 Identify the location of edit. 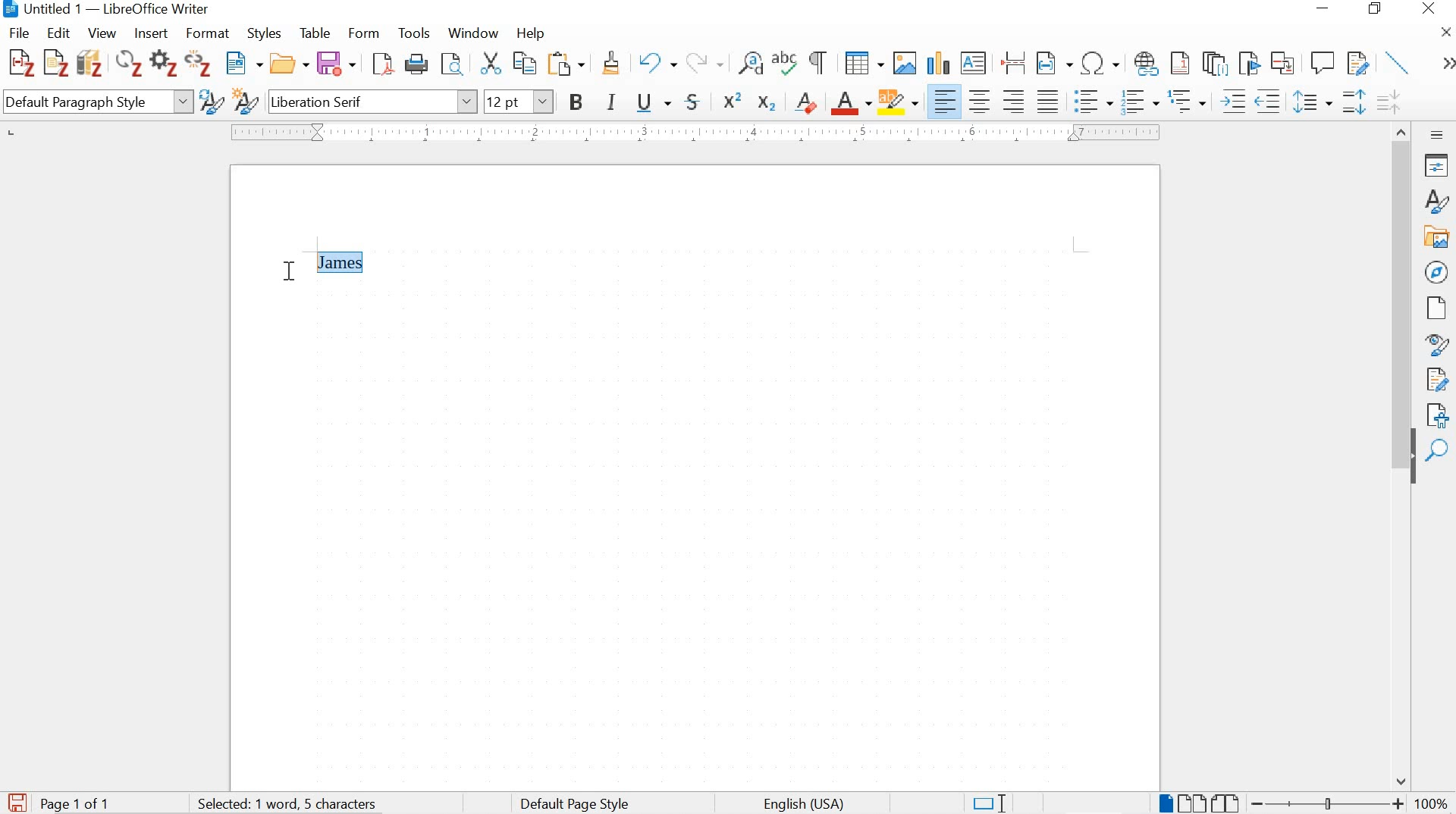
(59, 32).